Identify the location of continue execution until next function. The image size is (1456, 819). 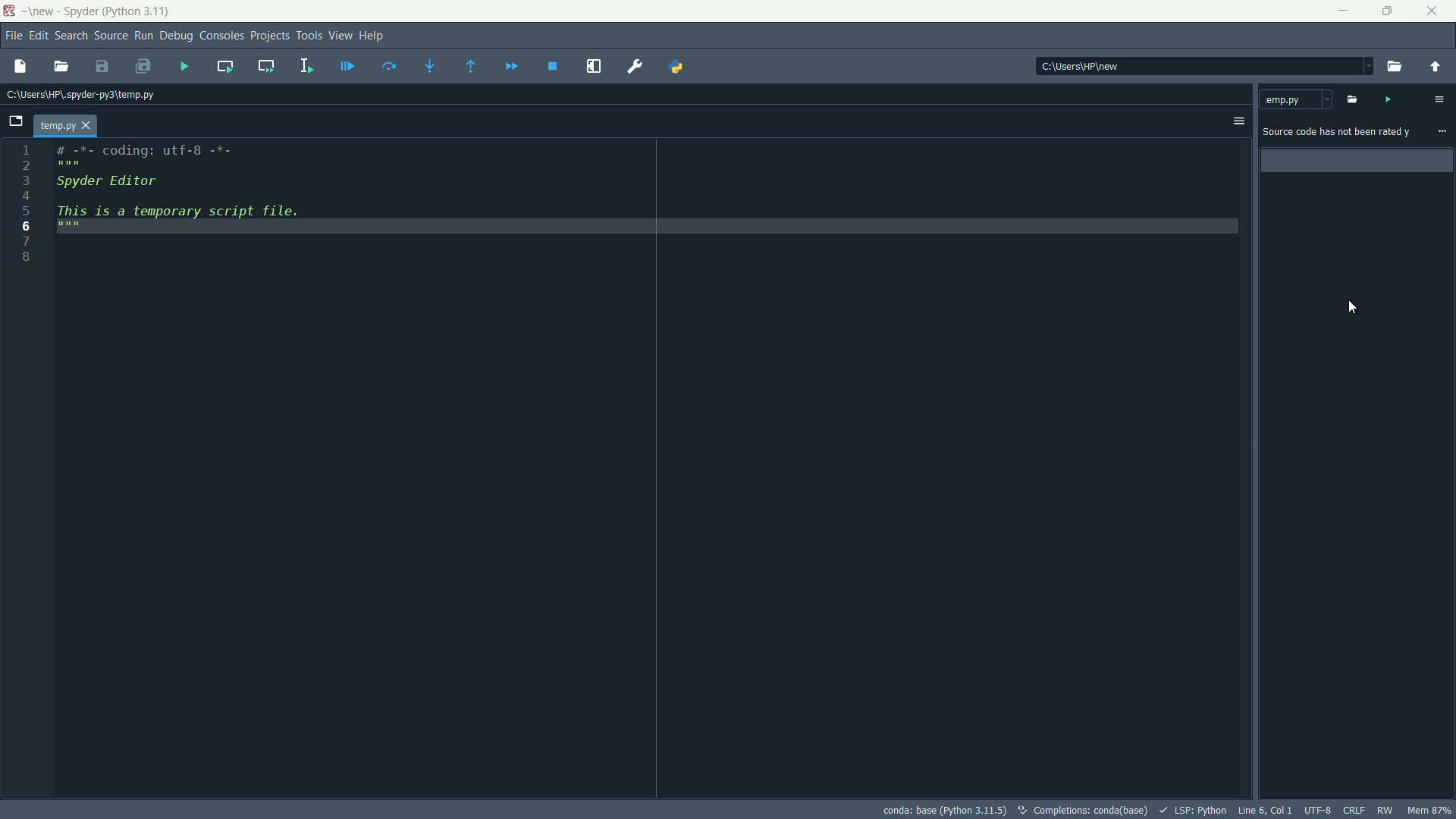
(470, 67).